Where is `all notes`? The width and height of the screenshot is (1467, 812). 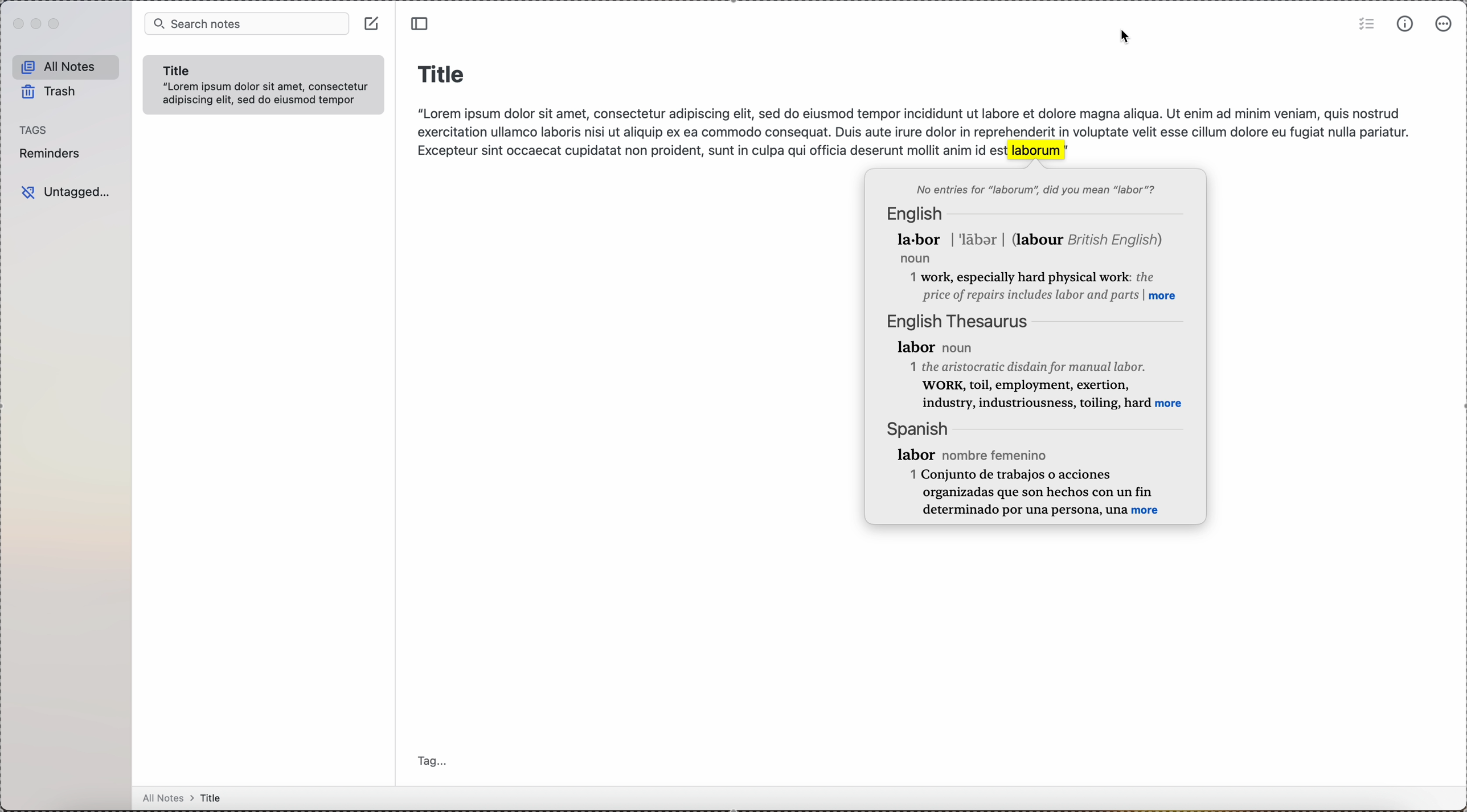 all notes is located at coordinates (67, 65).